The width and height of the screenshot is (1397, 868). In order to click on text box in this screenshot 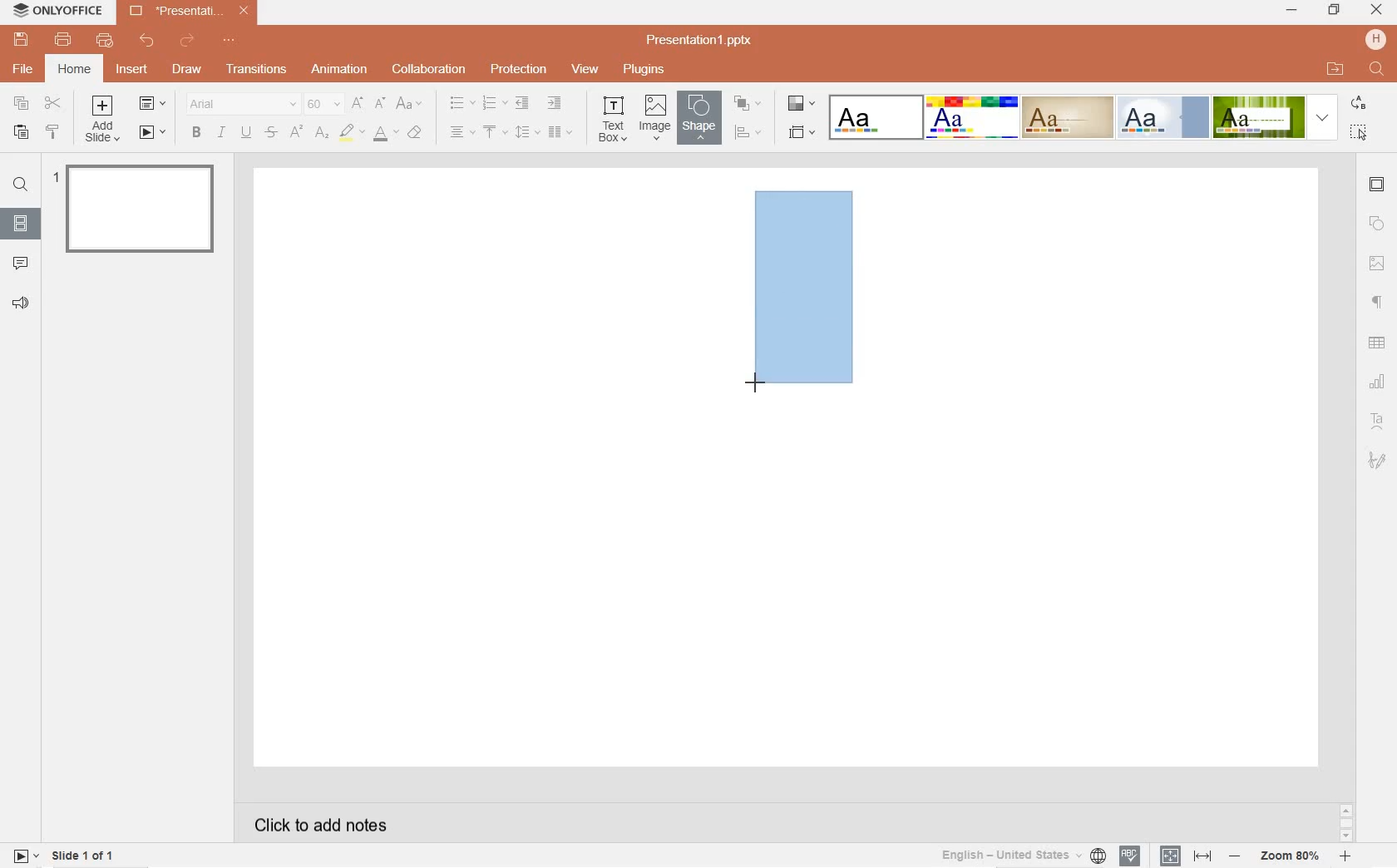, I will do `click(615, 118)`.